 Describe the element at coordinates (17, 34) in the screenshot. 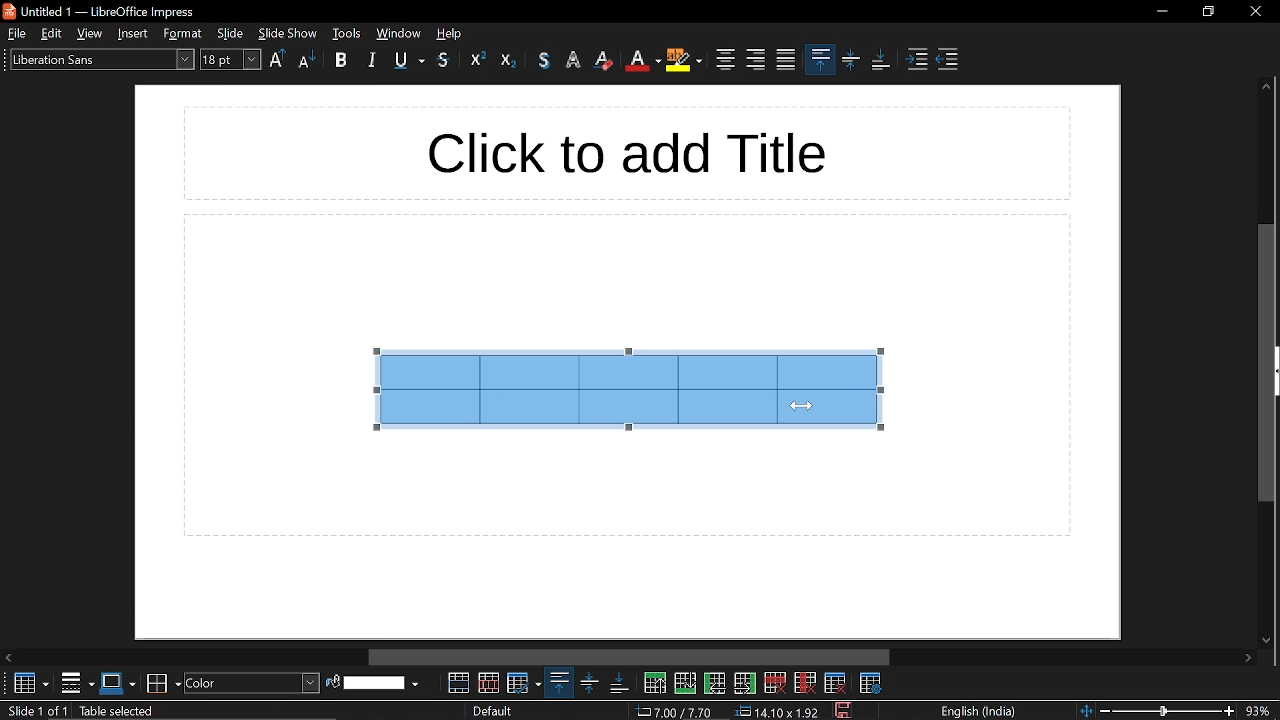

I see `file` at that location.